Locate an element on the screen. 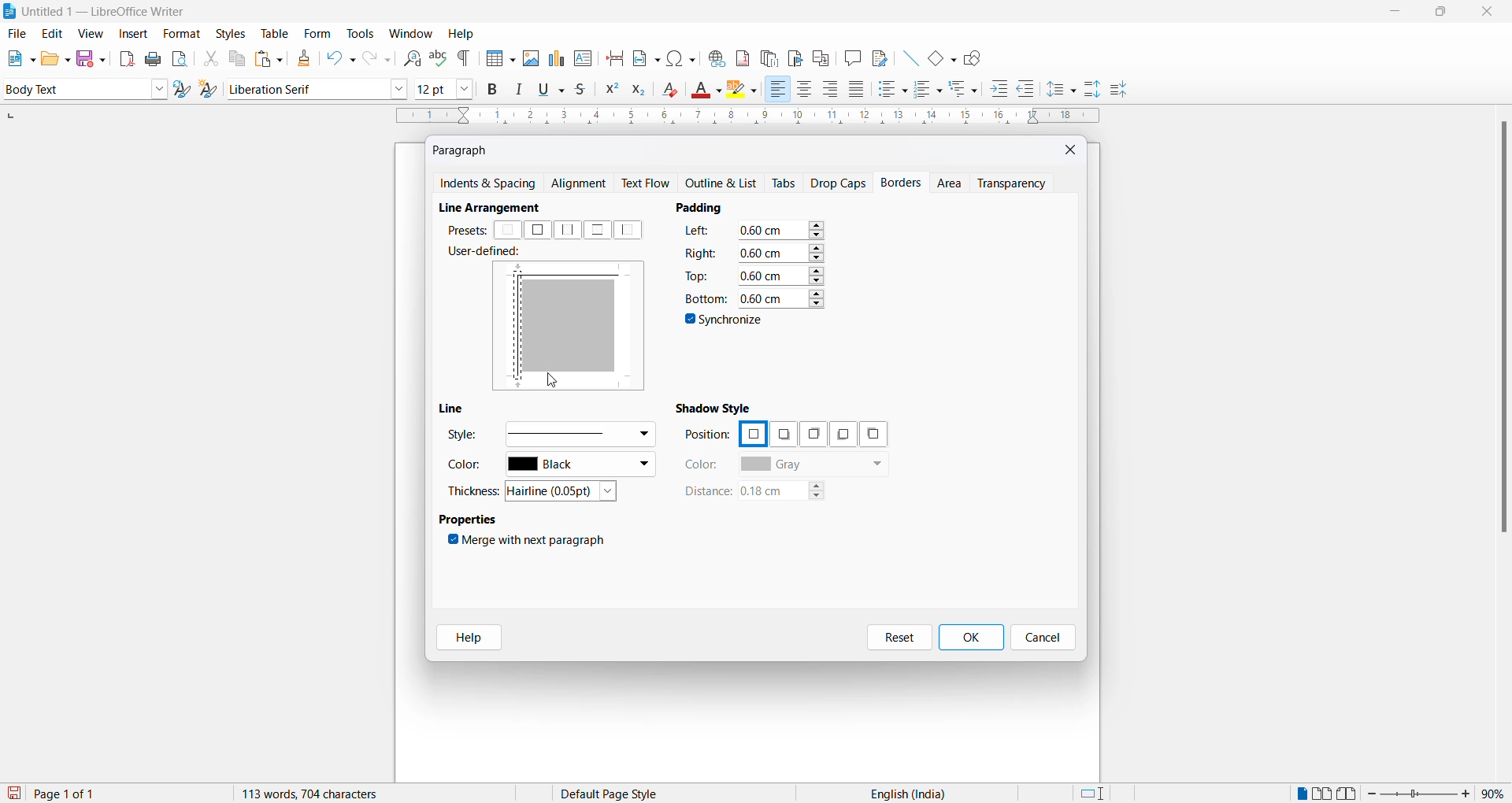 This screenshot has height=803, width=1512. format is located at coordinates (178, 35).